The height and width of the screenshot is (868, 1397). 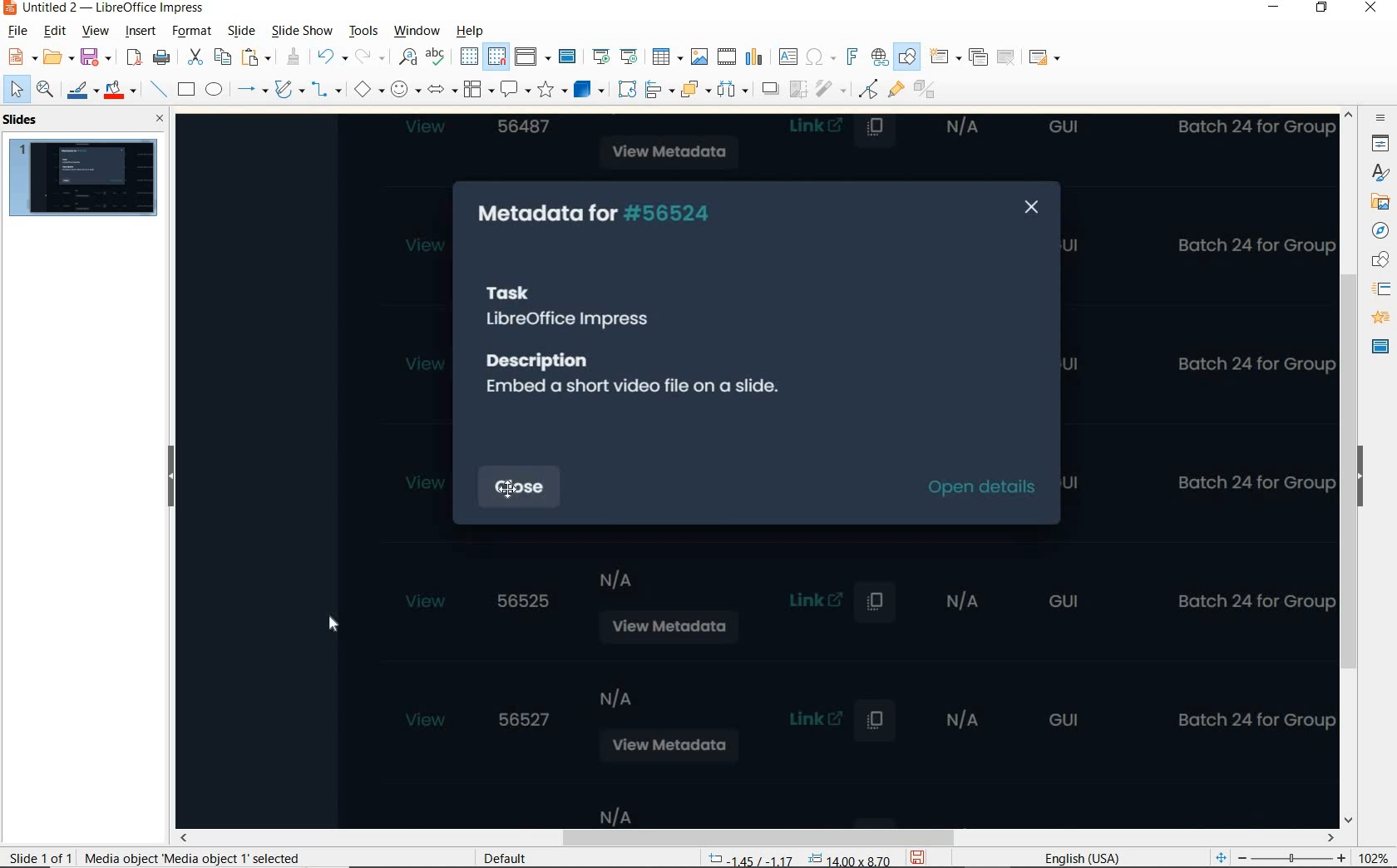 I want to click on CONNECTORS, so click(x=327, y=91).